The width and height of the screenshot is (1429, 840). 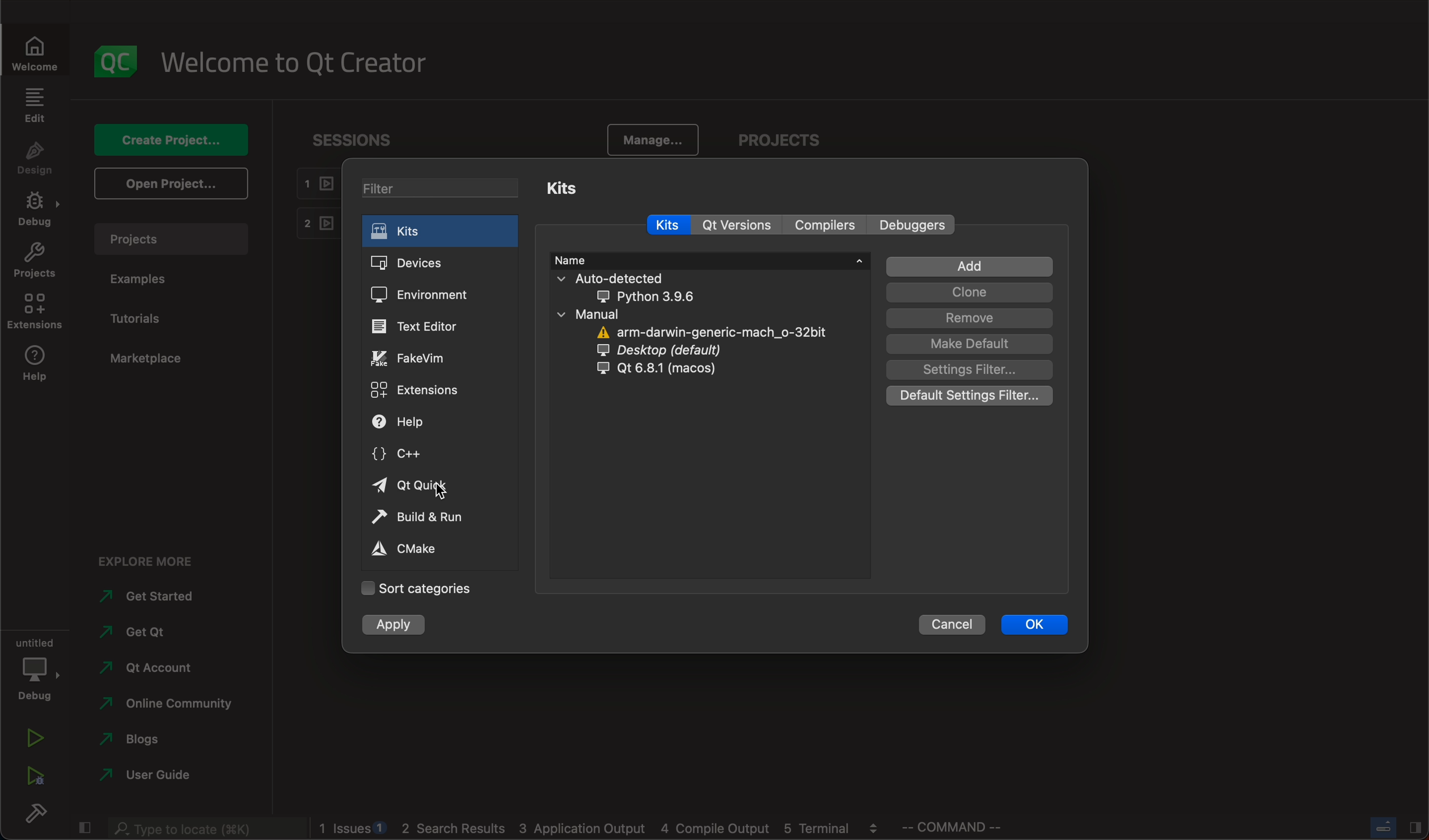 What do you see at coordinates (653, 138) in the screenshot?
I see `manage` at bounding box center [653, 138].